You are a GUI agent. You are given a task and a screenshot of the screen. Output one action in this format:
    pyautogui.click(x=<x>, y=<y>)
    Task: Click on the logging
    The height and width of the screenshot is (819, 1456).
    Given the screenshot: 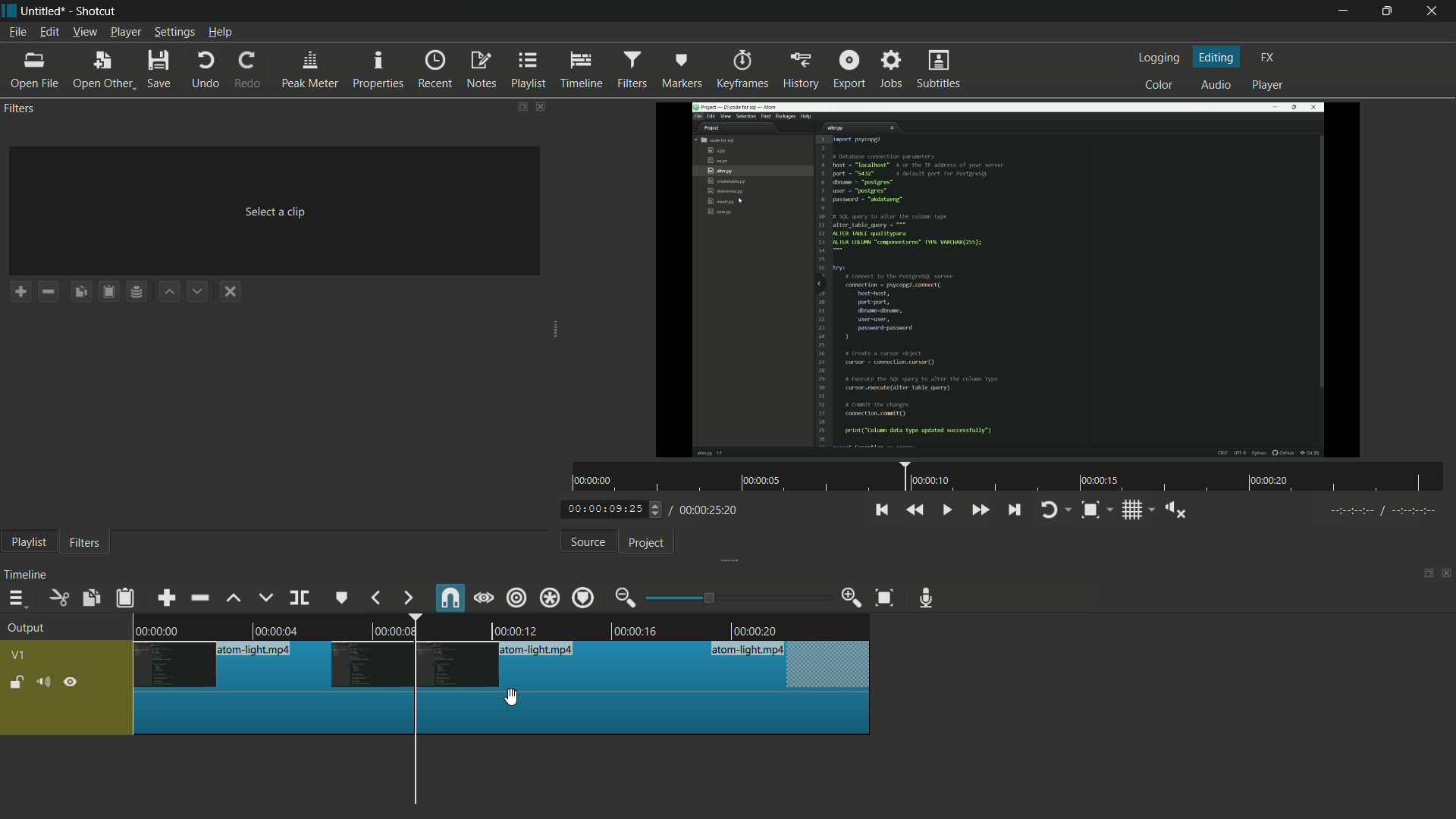 What is the action you would take?
    pyautogui.click(x=1162, y=58)
    